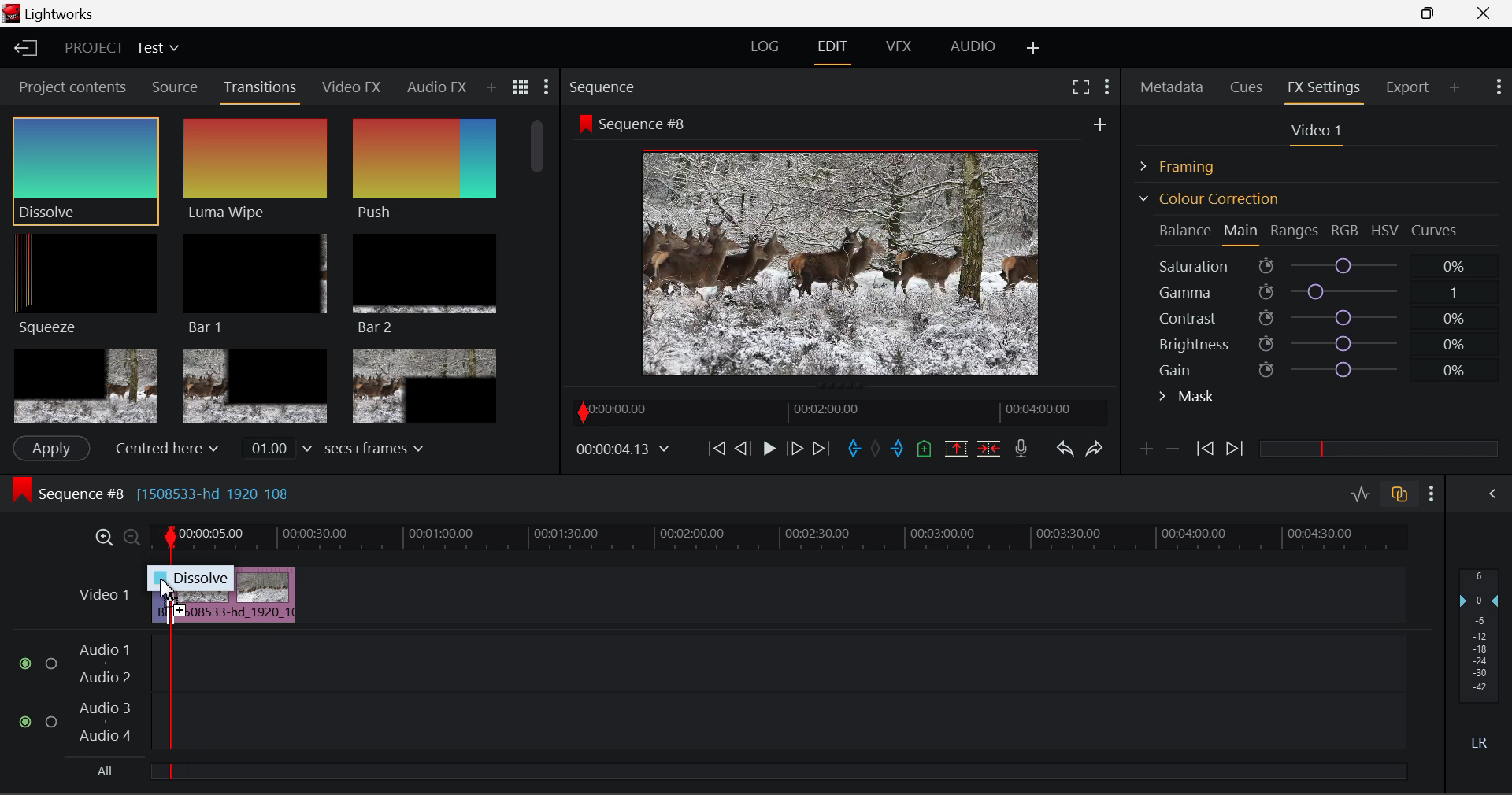 This screenshot has width=1512, height=795. What do you see at coordinates (1432, 494) in the screenshot?
I see `Show Settings` at bounding box center [1432, 494].